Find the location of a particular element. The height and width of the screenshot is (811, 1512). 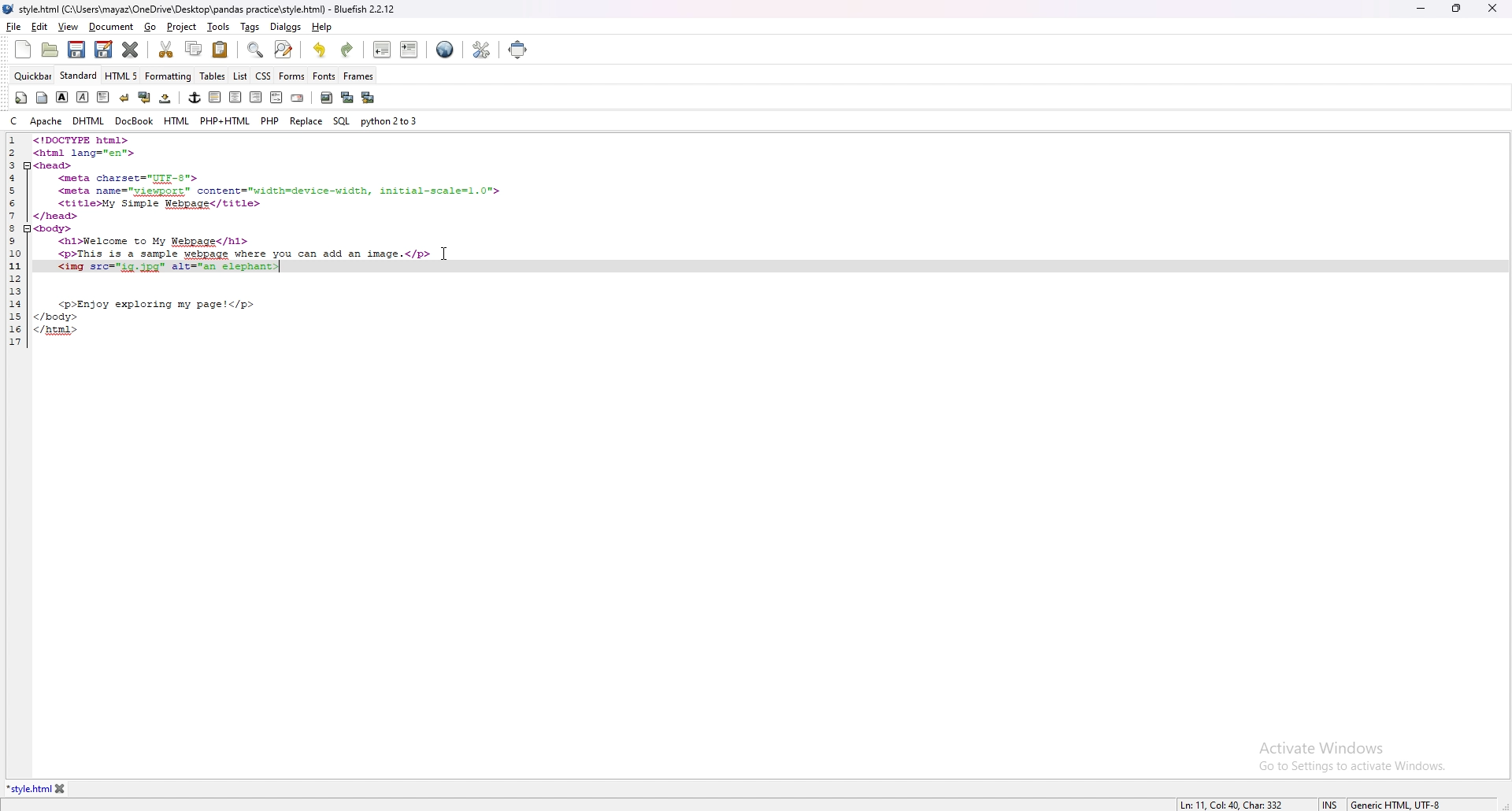

Generic HTML UTF-8 is located at coordinates (1399, 803).